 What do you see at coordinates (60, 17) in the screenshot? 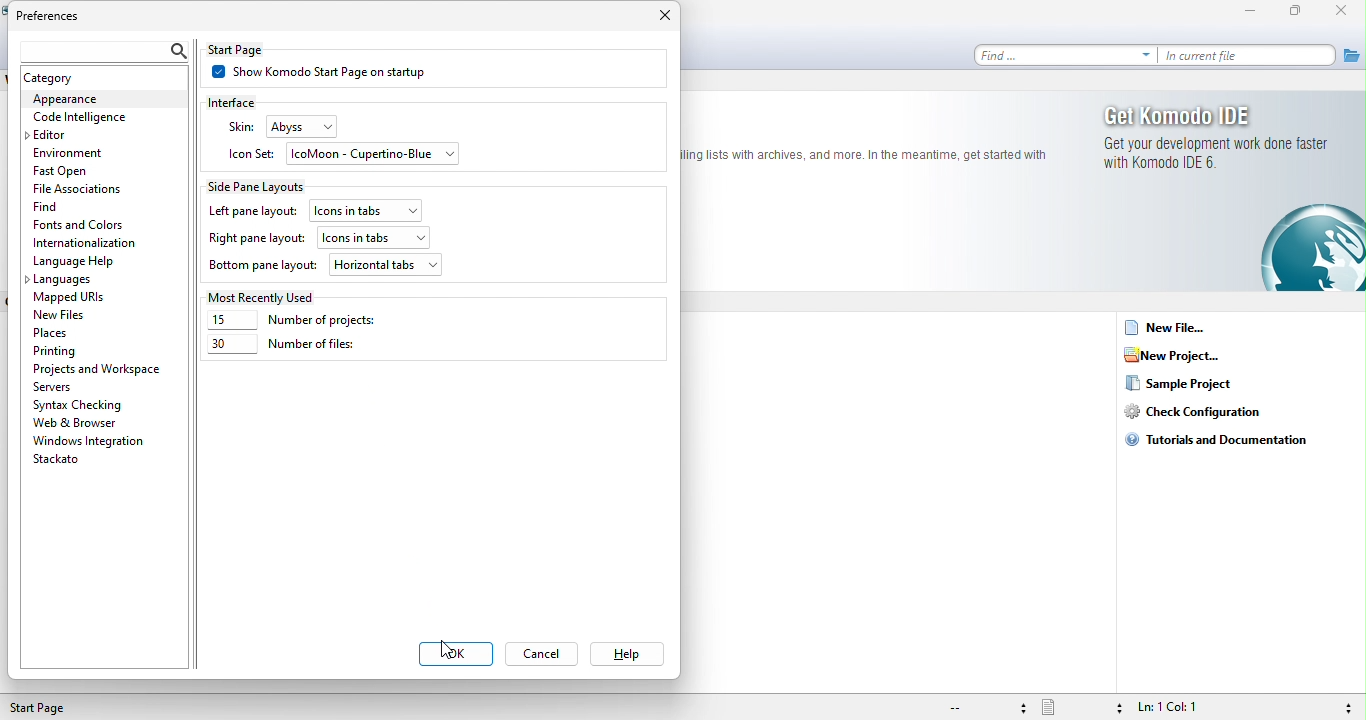
I see `preferences` at bounding box center [60, 17].